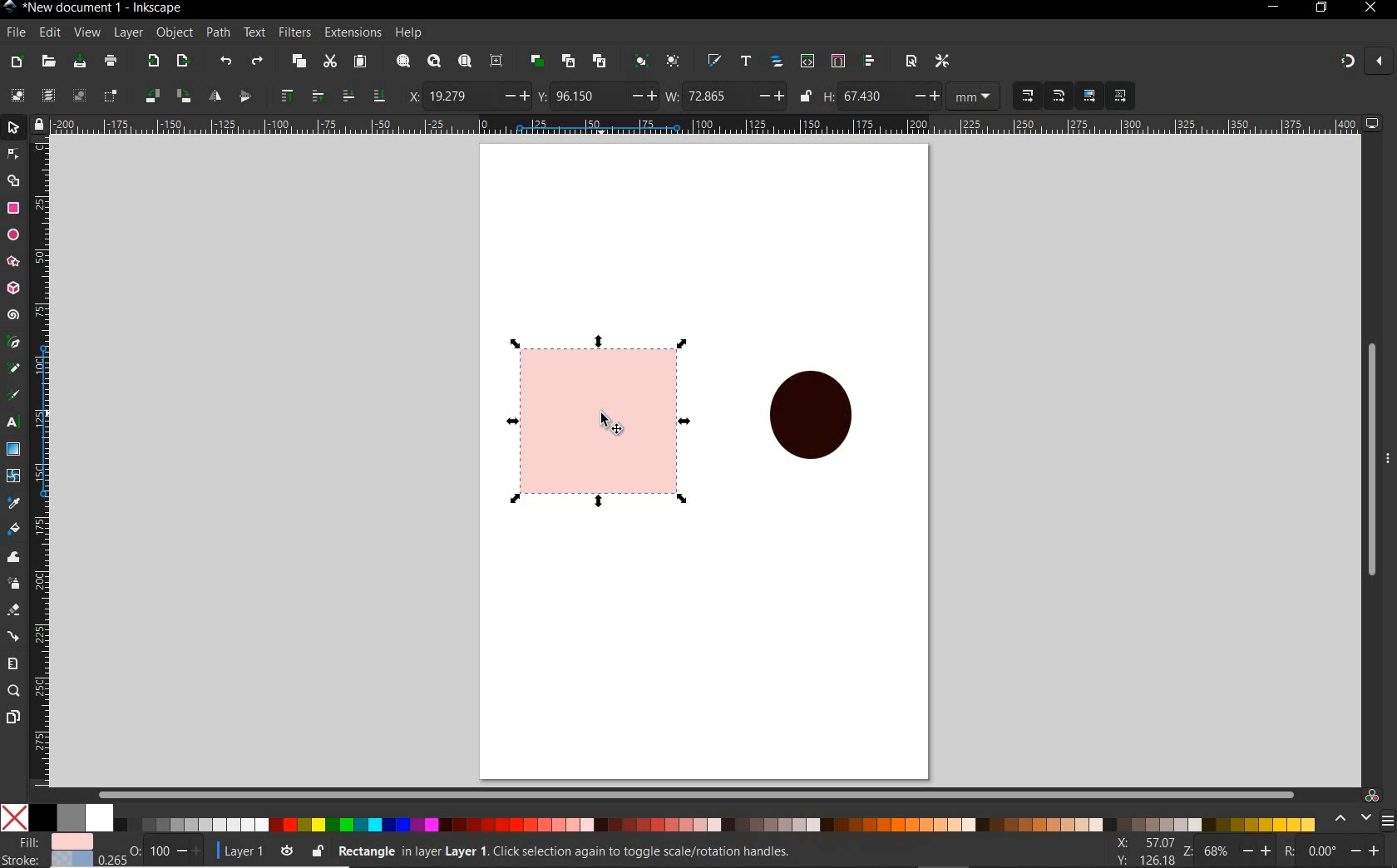 This screenshot has height=868, width=1397. What do you see at coordinates (351, 32) in the screenshot?
I see `extensions` at bounding box center [351, 32].